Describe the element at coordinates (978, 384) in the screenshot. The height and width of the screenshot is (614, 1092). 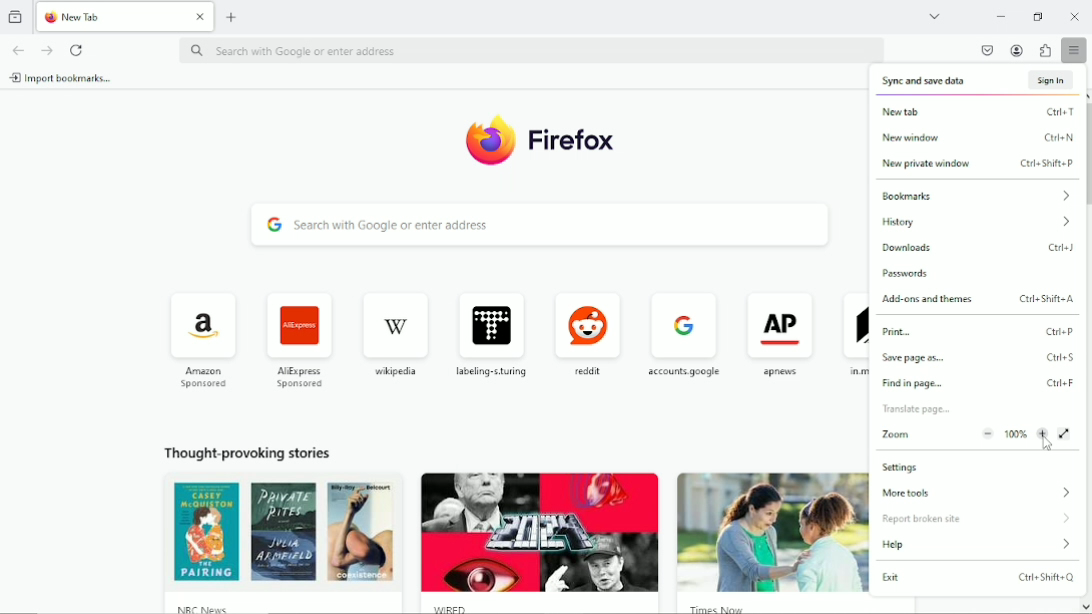
I see `find in page` at that location.